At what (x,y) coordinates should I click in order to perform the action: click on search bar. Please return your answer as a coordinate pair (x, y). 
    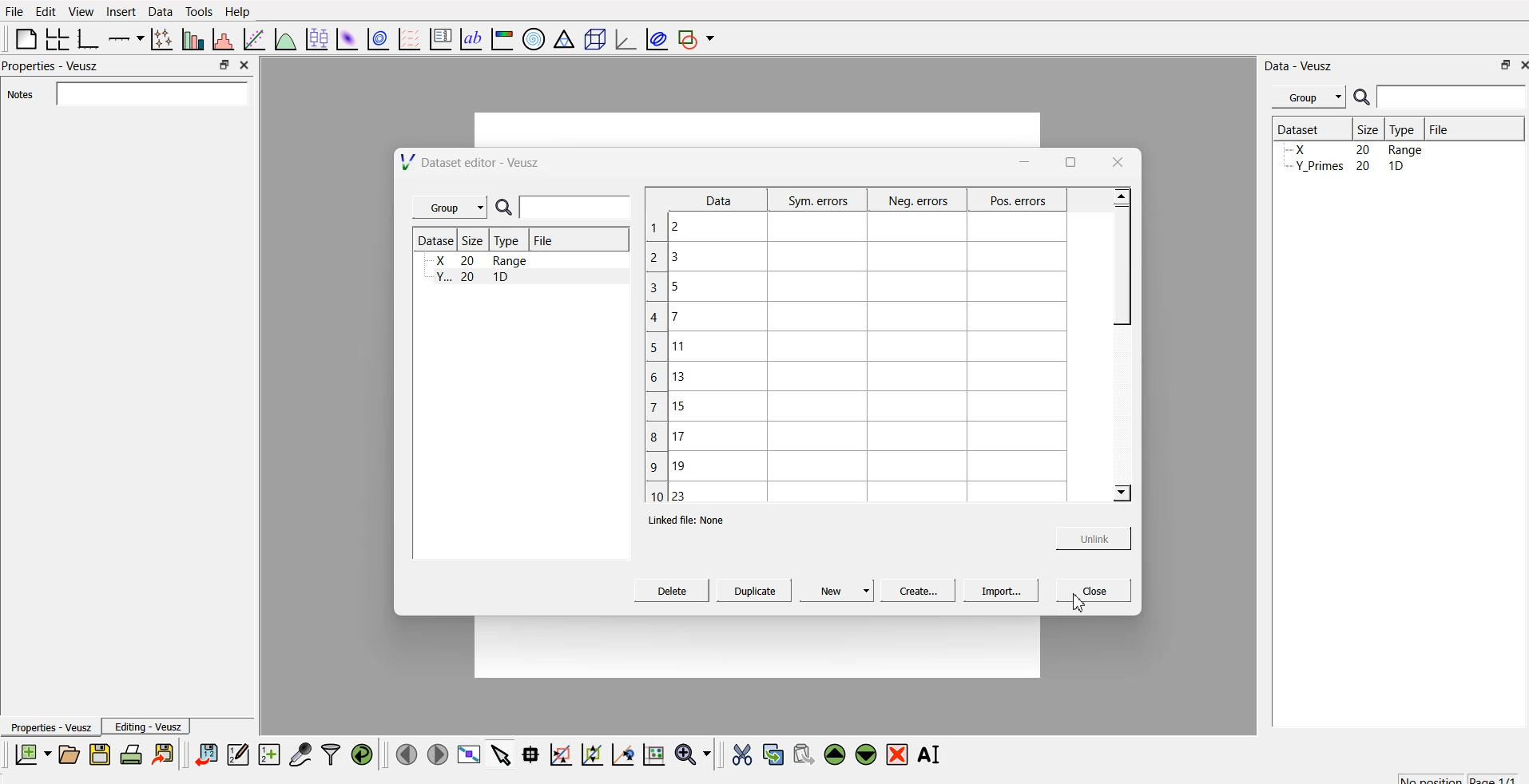
    Looking at the image, I should click on (1452, 97).